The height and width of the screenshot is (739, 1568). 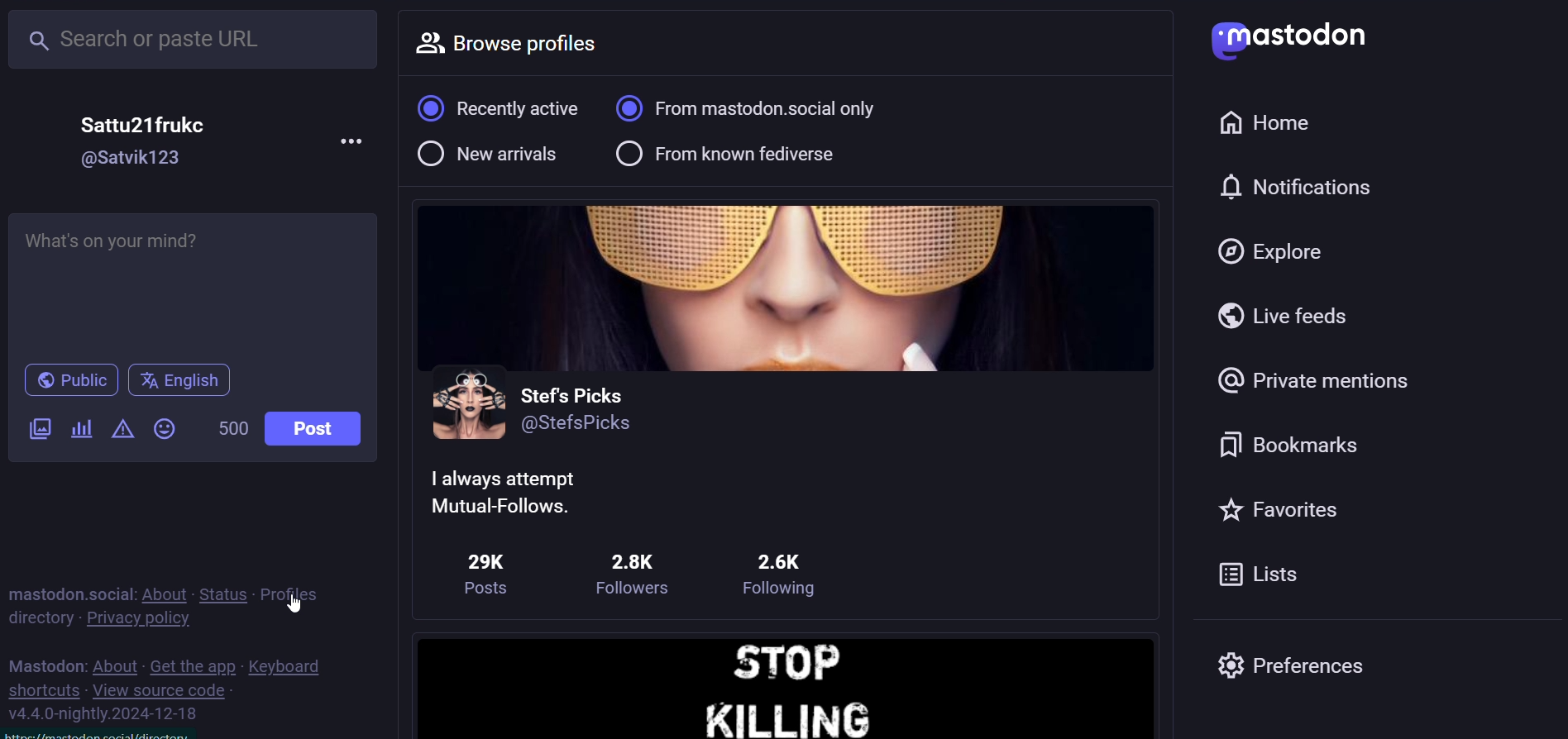 I want to click on list, so click(x=1270, y=572).